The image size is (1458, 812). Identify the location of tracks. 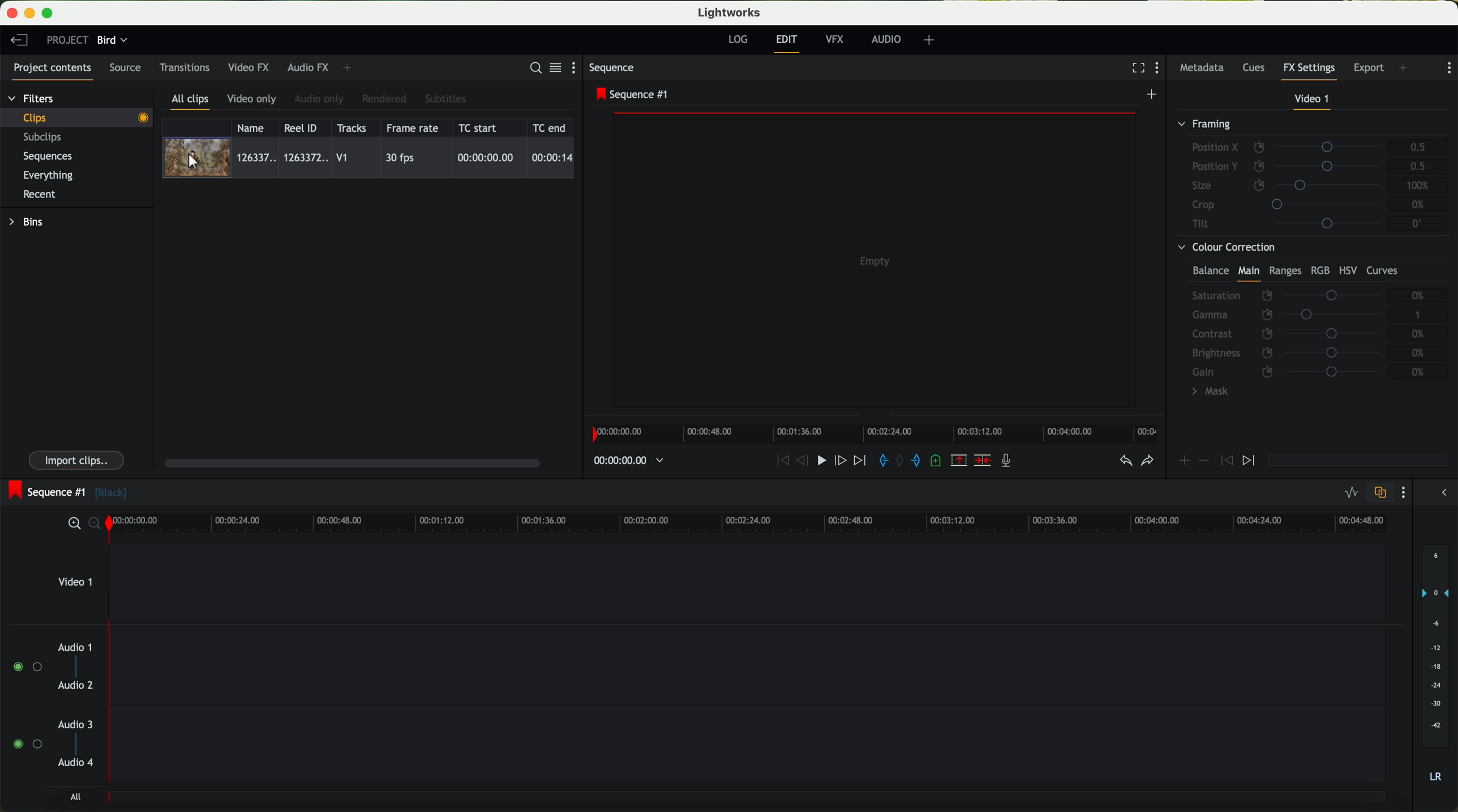
(350, 128).